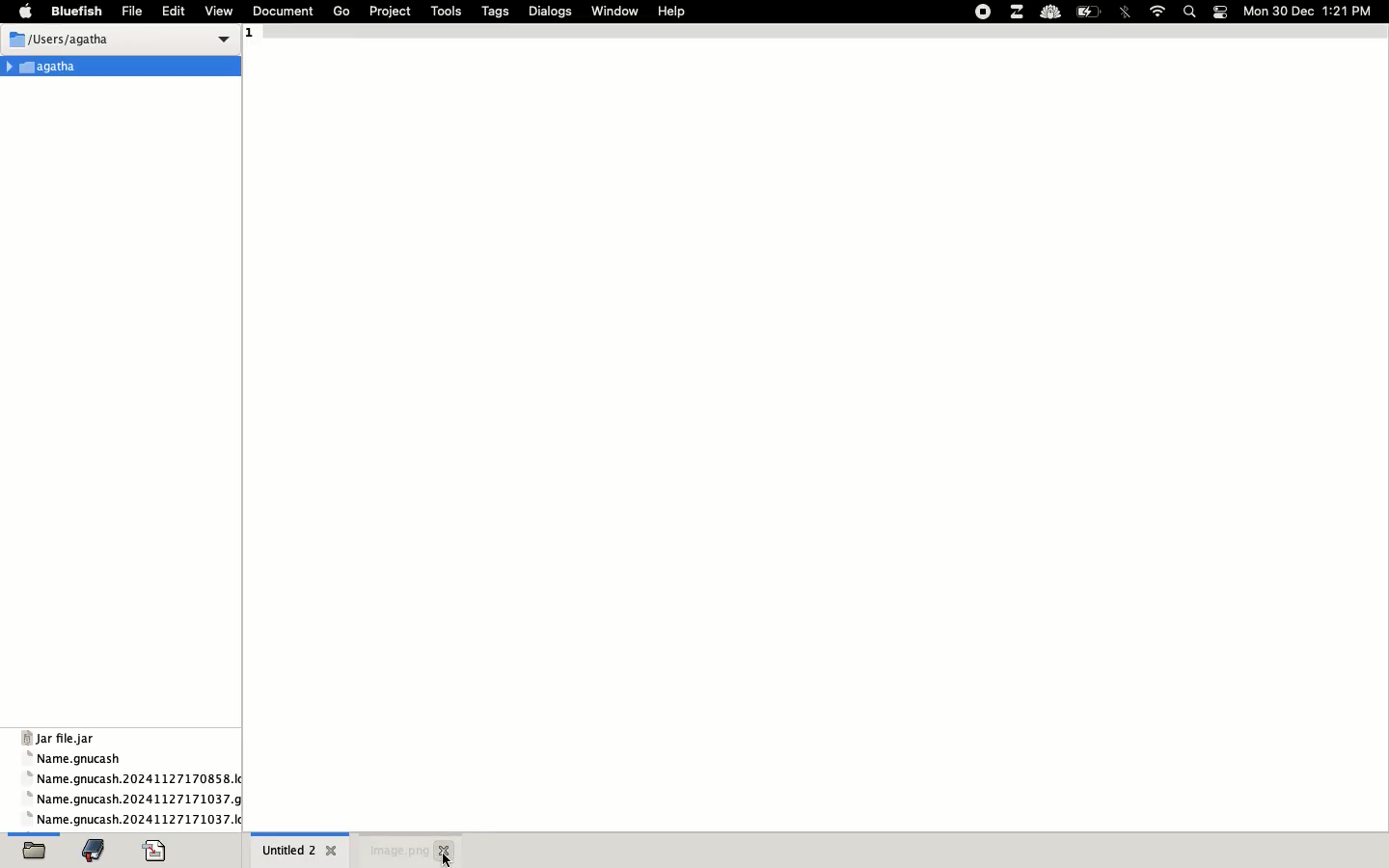 The width and height of the screenshot is (1389, 868). Describe the element at coordinates (121, 40) in the screenshot. I see `users` at that location.